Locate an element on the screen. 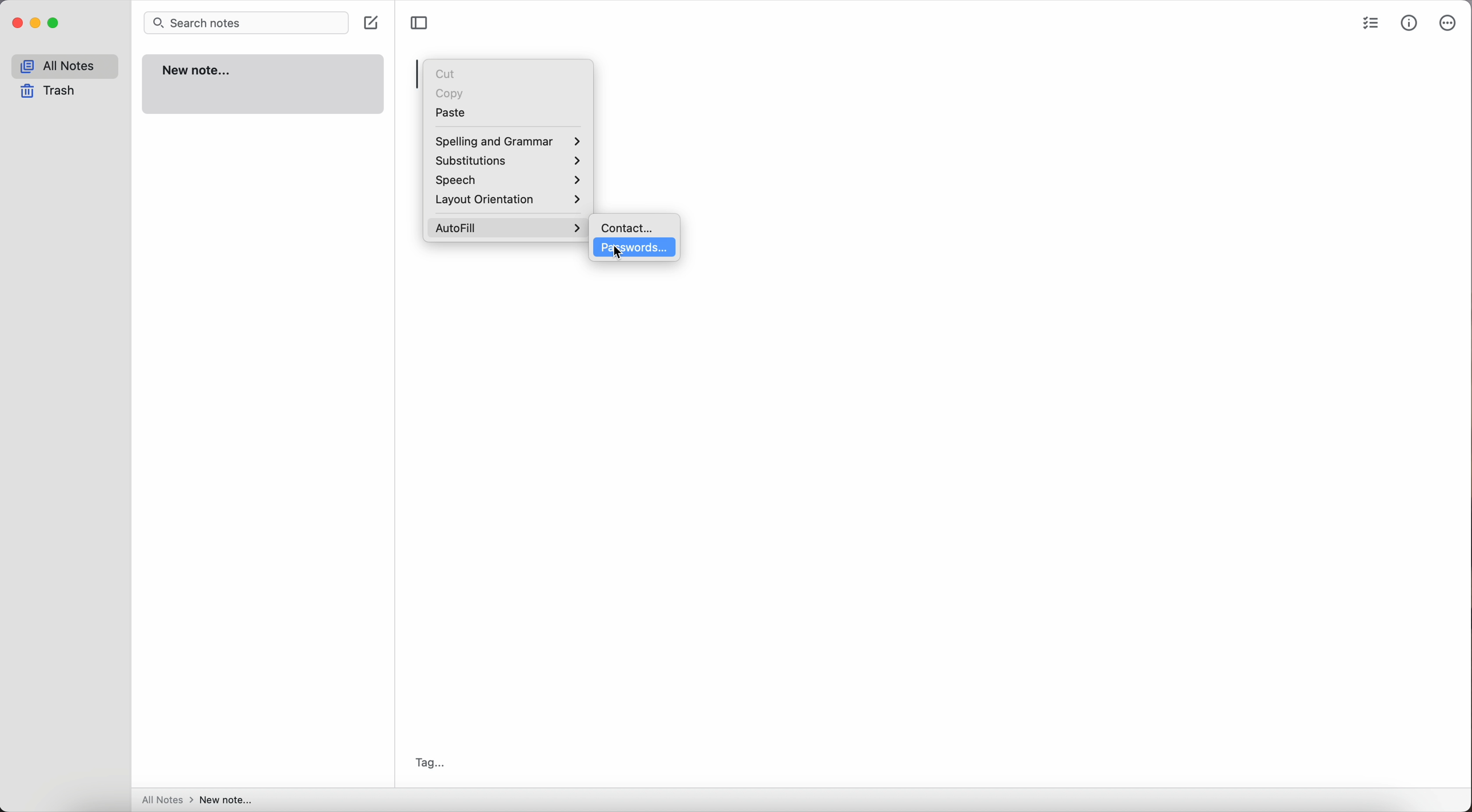 The height and width of the screenshot is (812, 1472). metrics is located at coordinates (1410, 23).